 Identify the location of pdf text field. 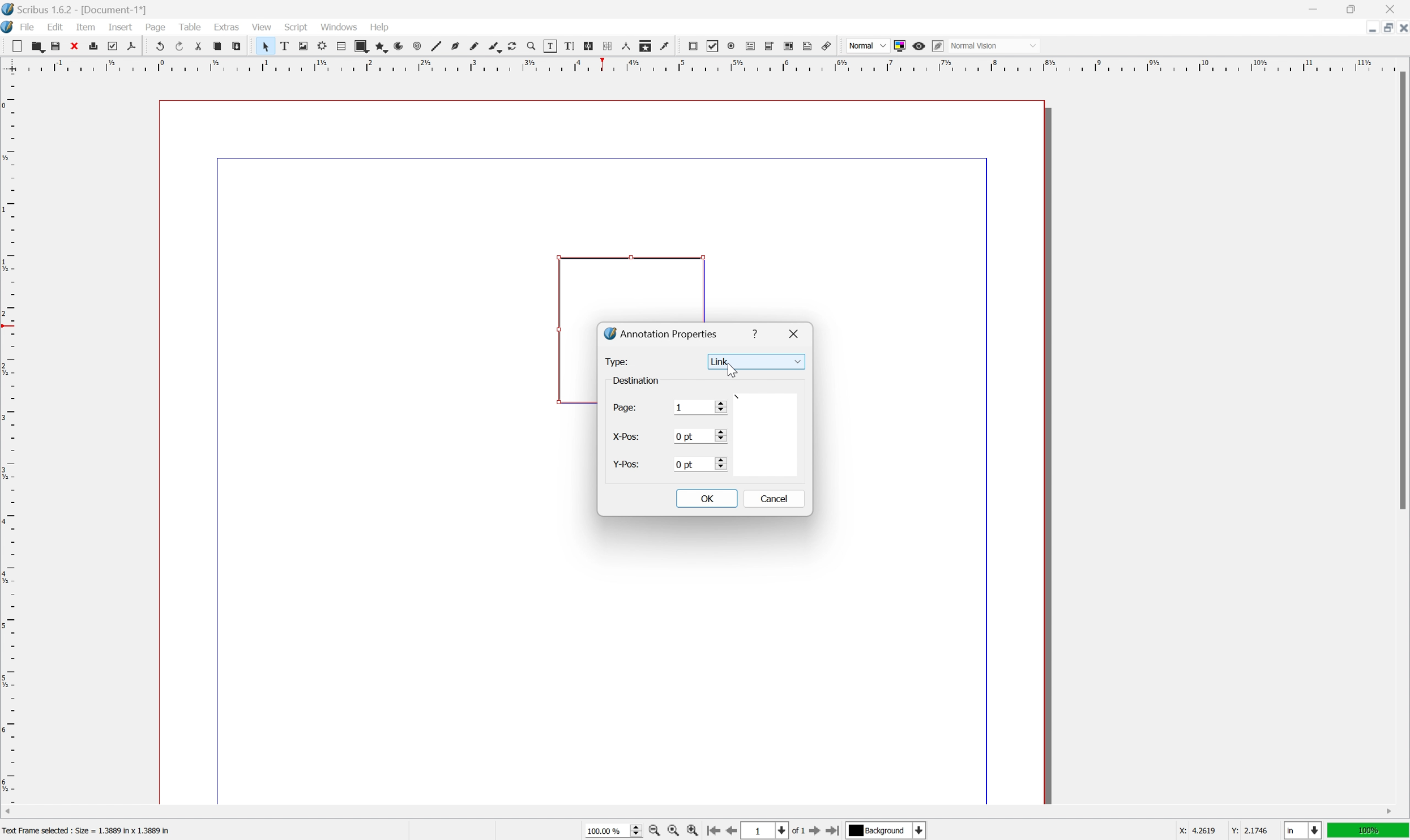
(750, 46).